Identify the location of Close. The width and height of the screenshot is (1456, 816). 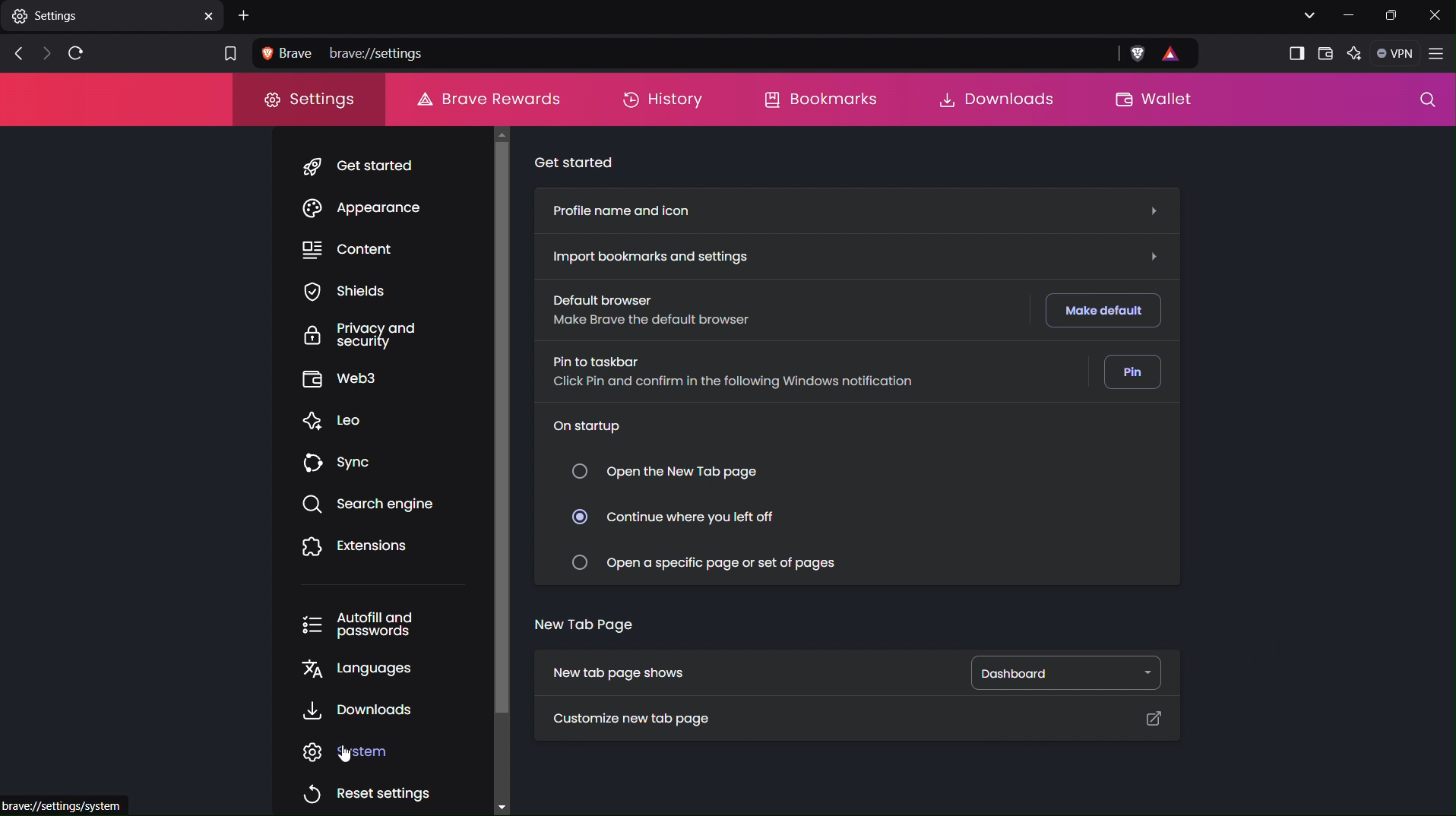
(1438, 15).